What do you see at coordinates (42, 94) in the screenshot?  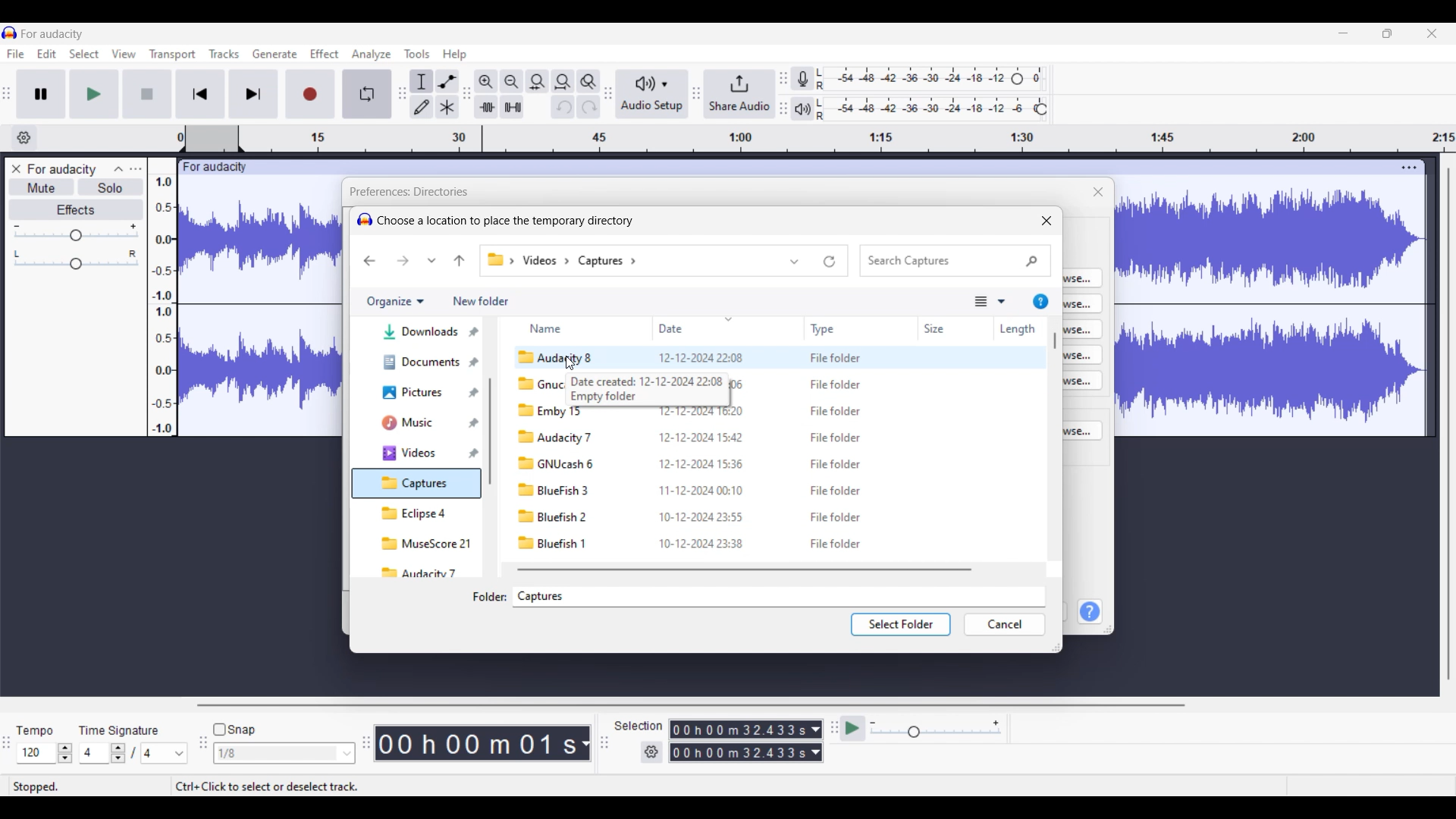 I see `Pause` at bounding box center [42, 94].